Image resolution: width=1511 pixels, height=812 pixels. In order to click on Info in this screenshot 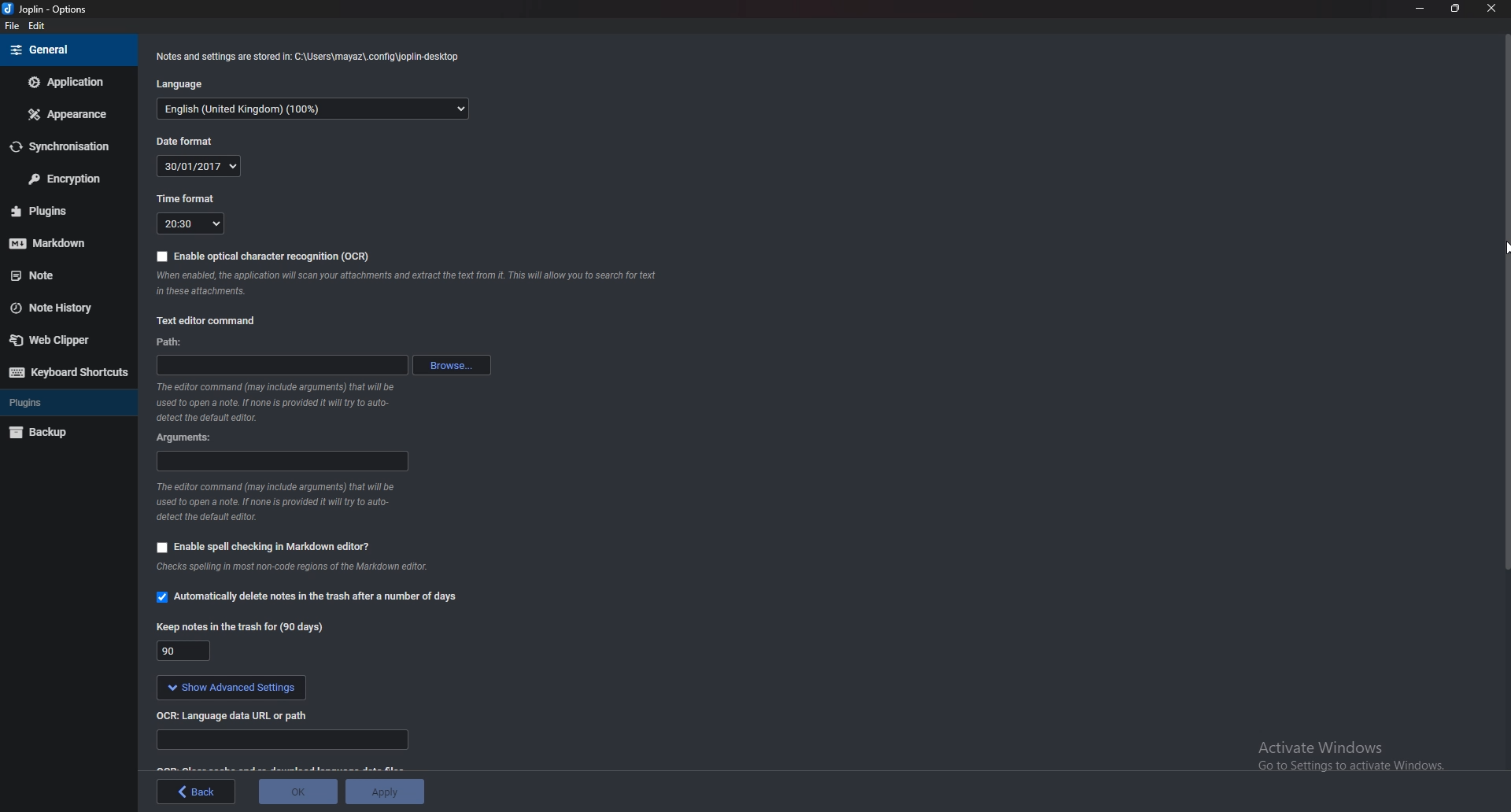, I will do `click(283, 400)`.